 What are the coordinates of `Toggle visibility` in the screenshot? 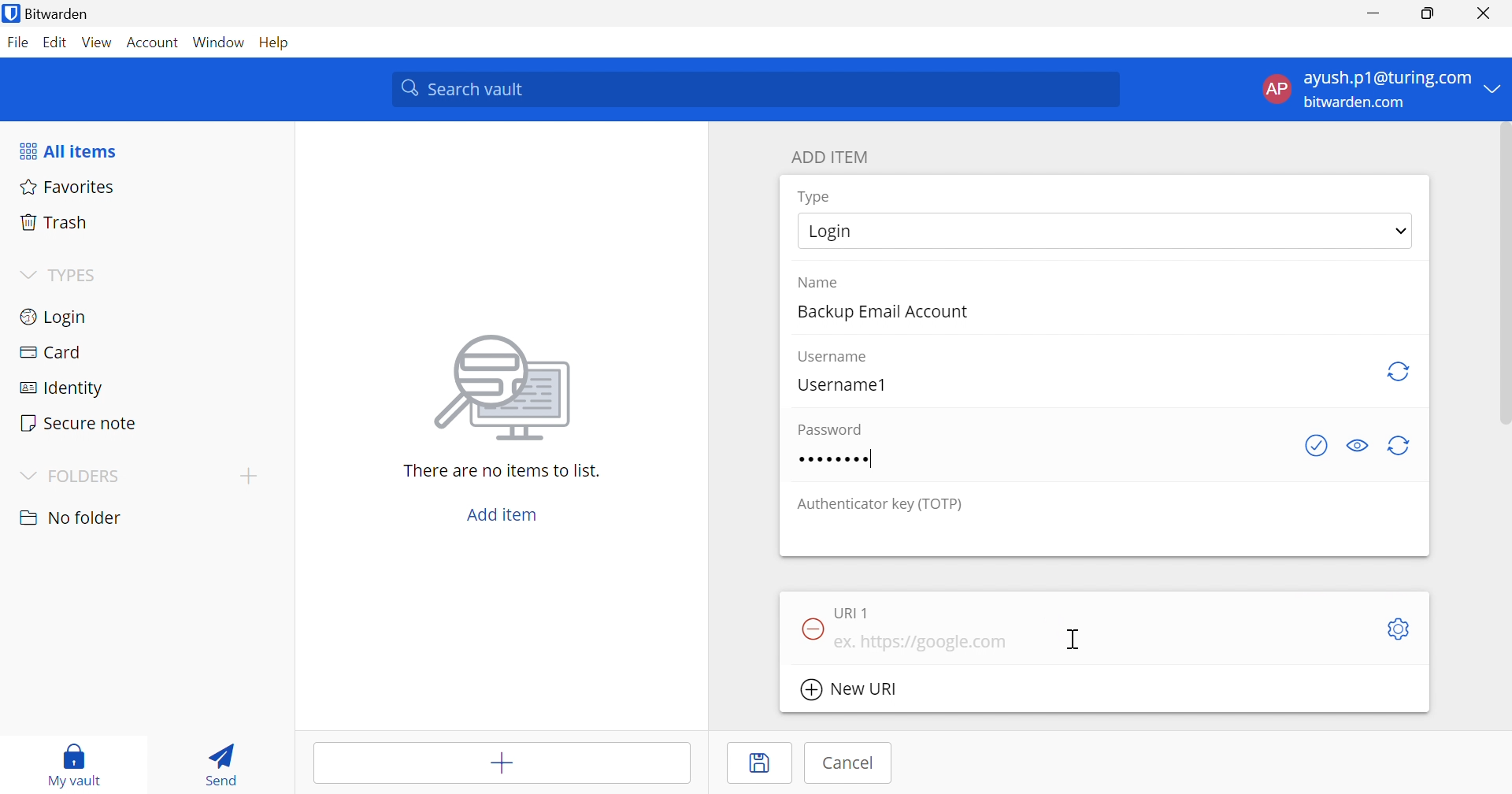 It's located at (1355, 446).